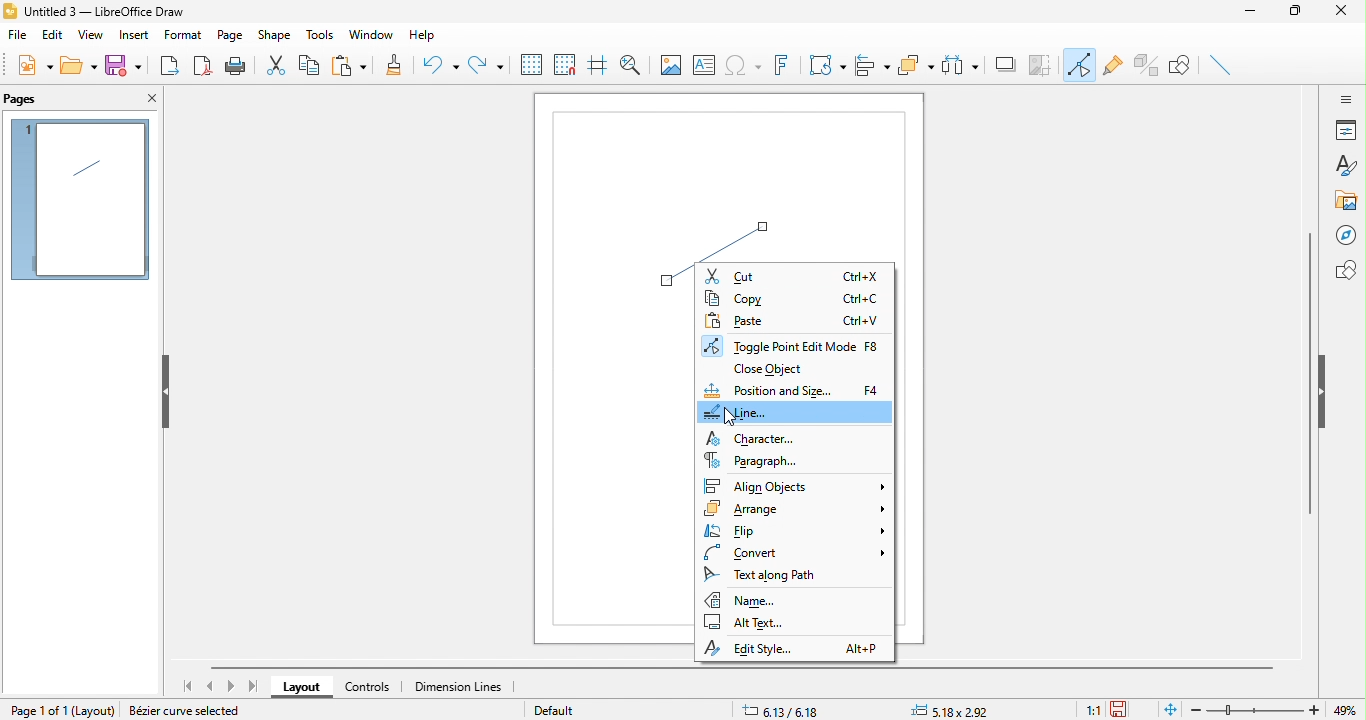 This screenshot has height=720, width=1366. Describe the element at coordinates (1309, 372) in the screenshot. I see `vertical scroll bar` at that location.